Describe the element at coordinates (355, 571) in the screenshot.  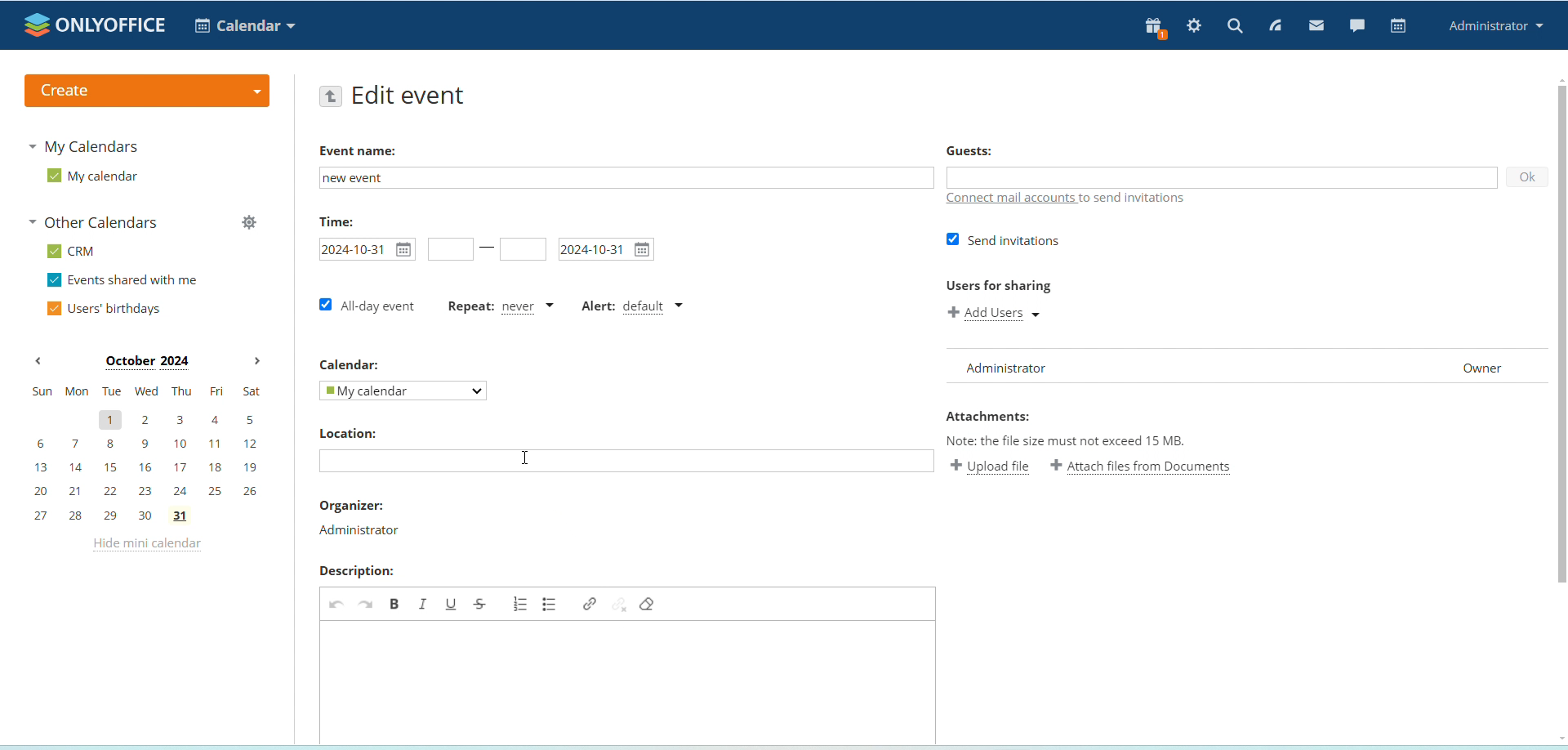
I see `Description` at that location.